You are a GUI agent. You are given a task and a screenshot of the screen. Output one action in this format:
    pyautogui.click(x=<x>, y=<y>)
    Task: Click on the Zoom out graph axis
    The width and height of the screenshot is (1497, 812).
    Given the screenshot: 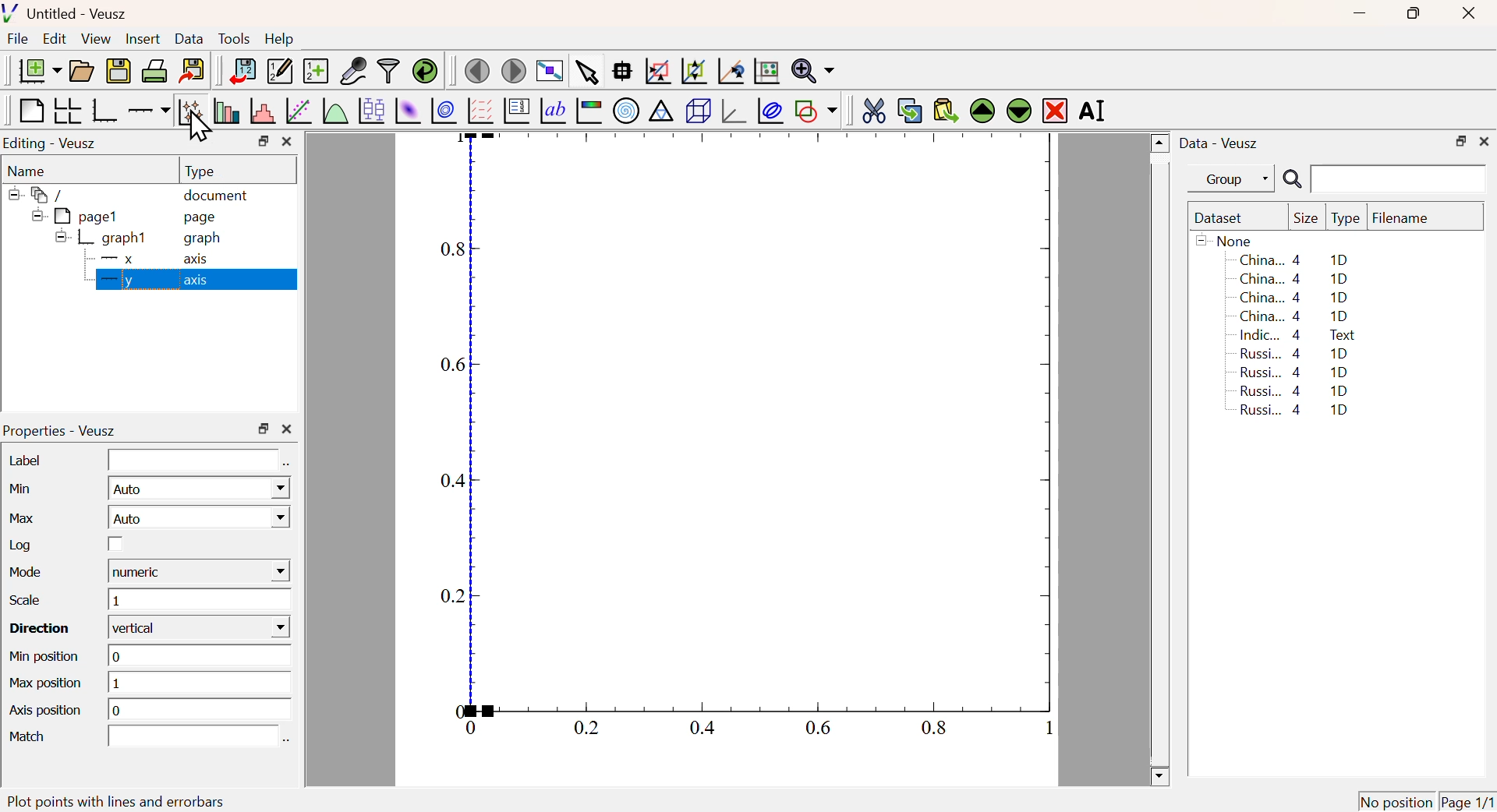 What is the action you would take?
    pyautogui.click(x=693, y=69)
    